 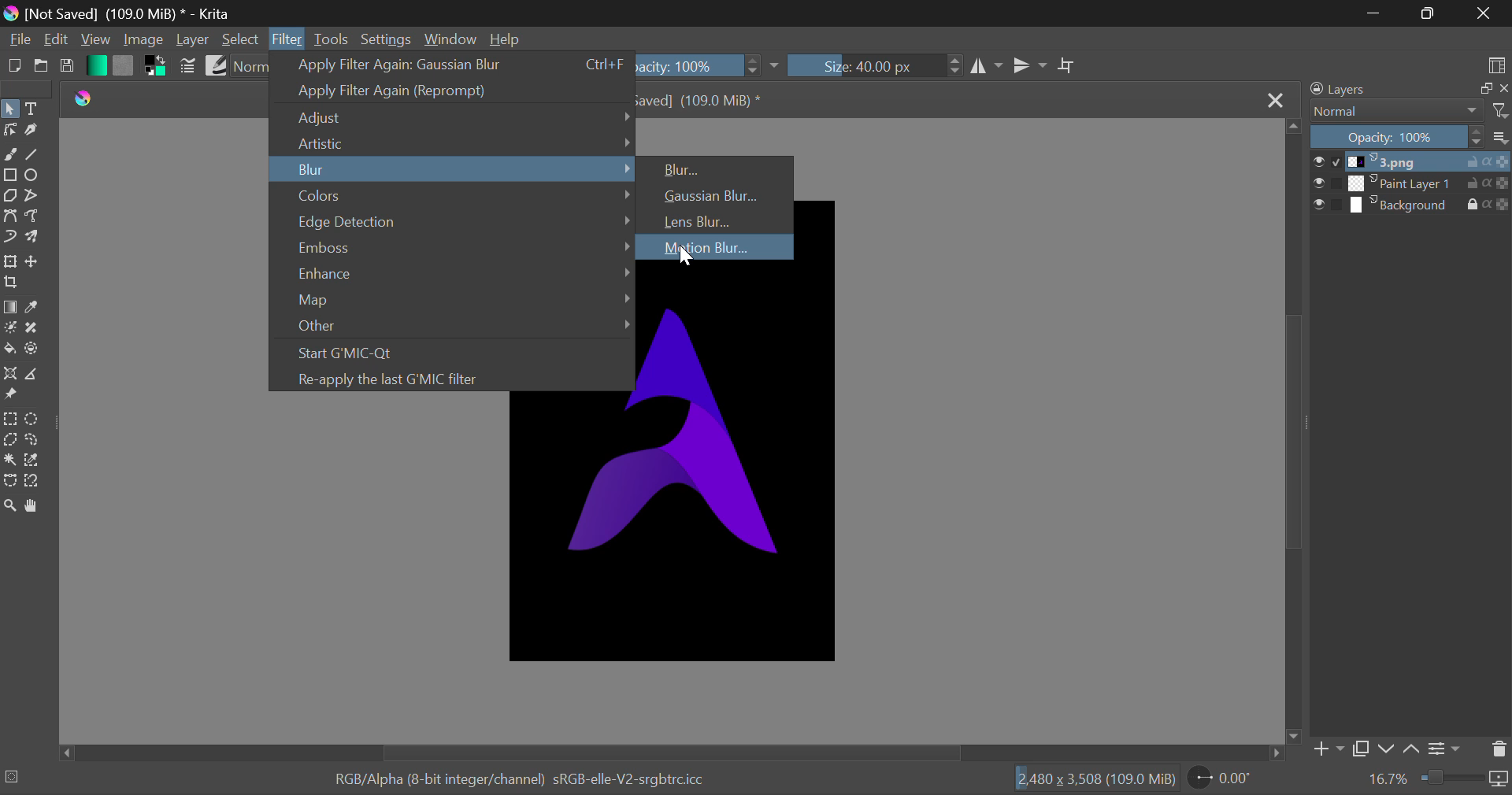 I want to click on Save, so click(x=67, y=69).